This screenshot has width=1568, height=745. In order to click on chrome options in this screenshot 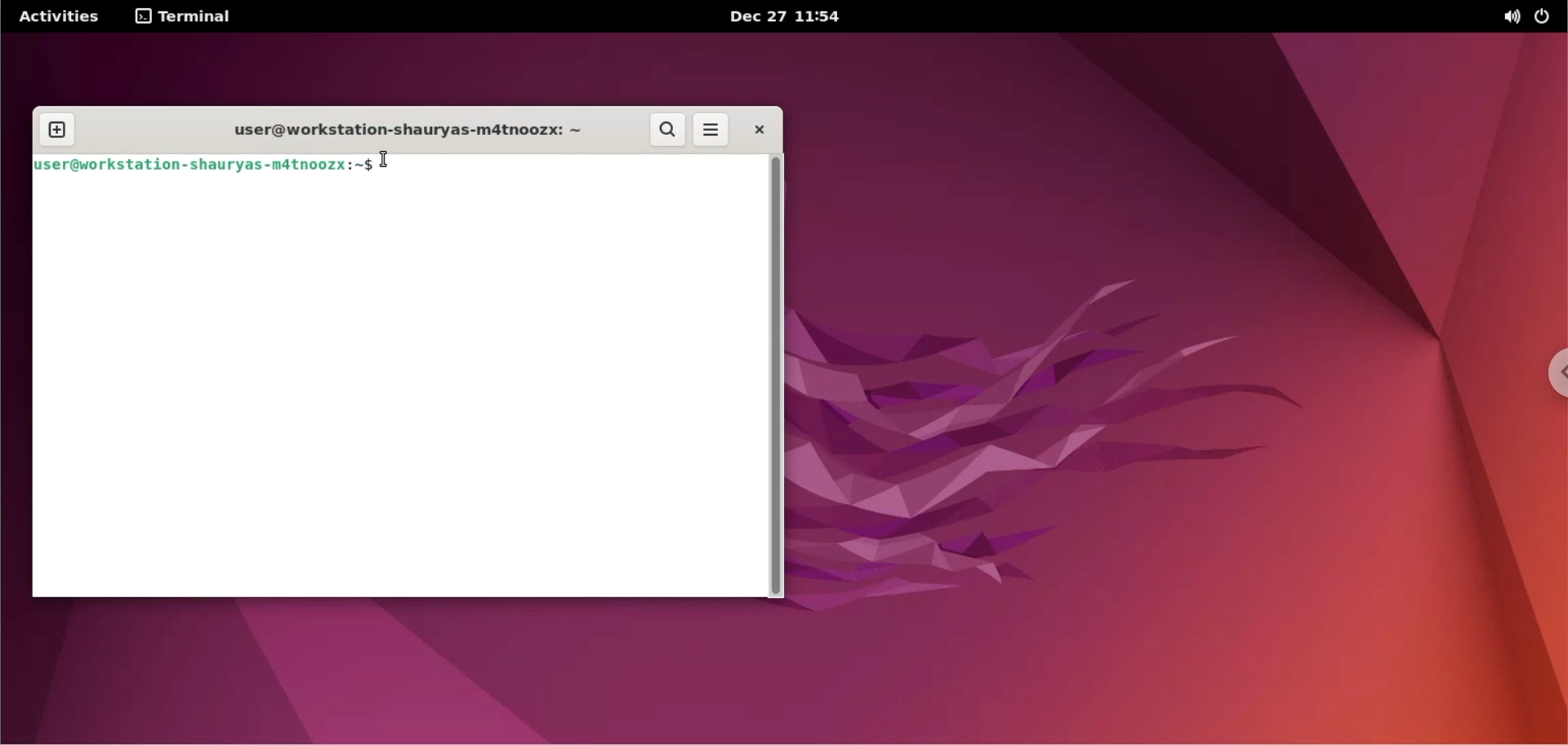, I will do `click(1553, 373)`.